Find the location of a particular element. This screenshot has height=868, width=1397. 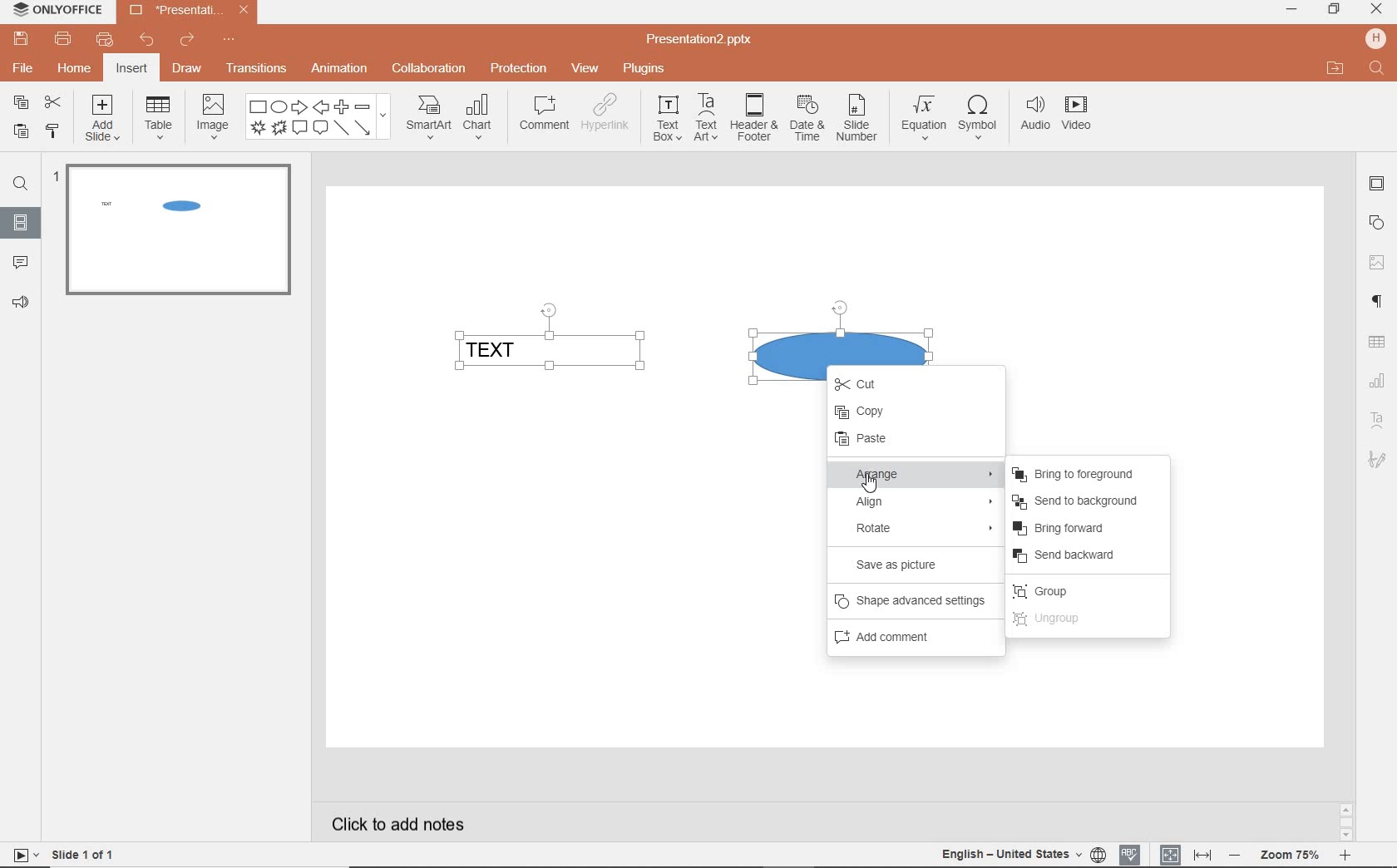

GROUP is located at coordinates (1083, 593).